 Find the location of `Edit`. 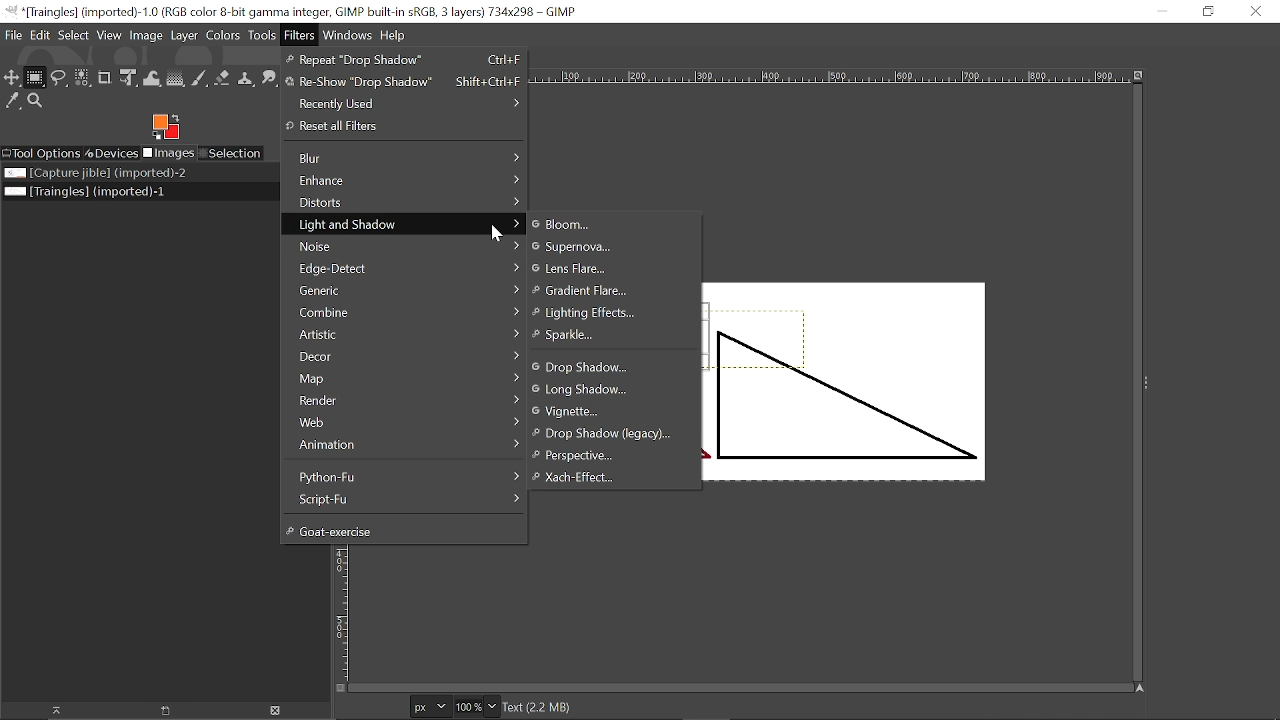

Edit is located at coordinates (40, 35).